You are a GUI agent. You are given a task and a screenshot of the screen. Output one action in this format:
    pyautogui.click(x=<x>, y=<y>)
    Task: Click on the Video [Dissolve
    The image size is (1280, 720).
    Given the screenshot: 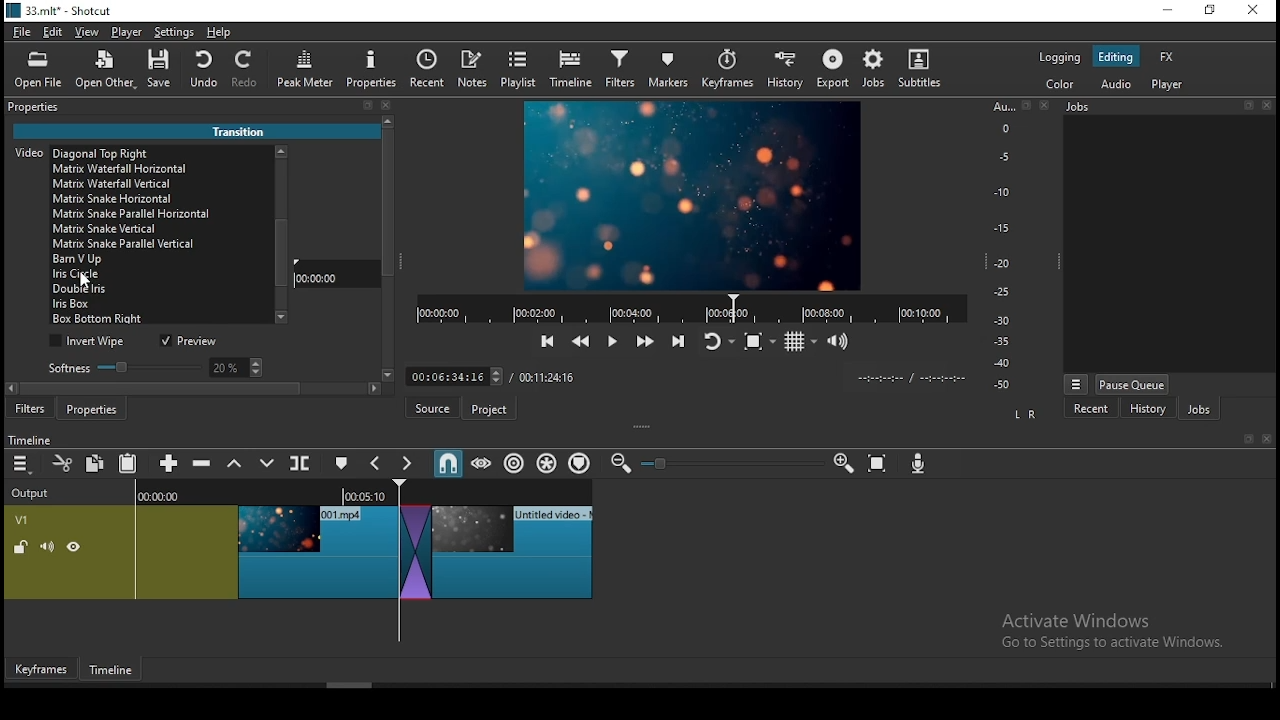 What is the action you would take?
    pyautogui.click(x=86, y=151)
    